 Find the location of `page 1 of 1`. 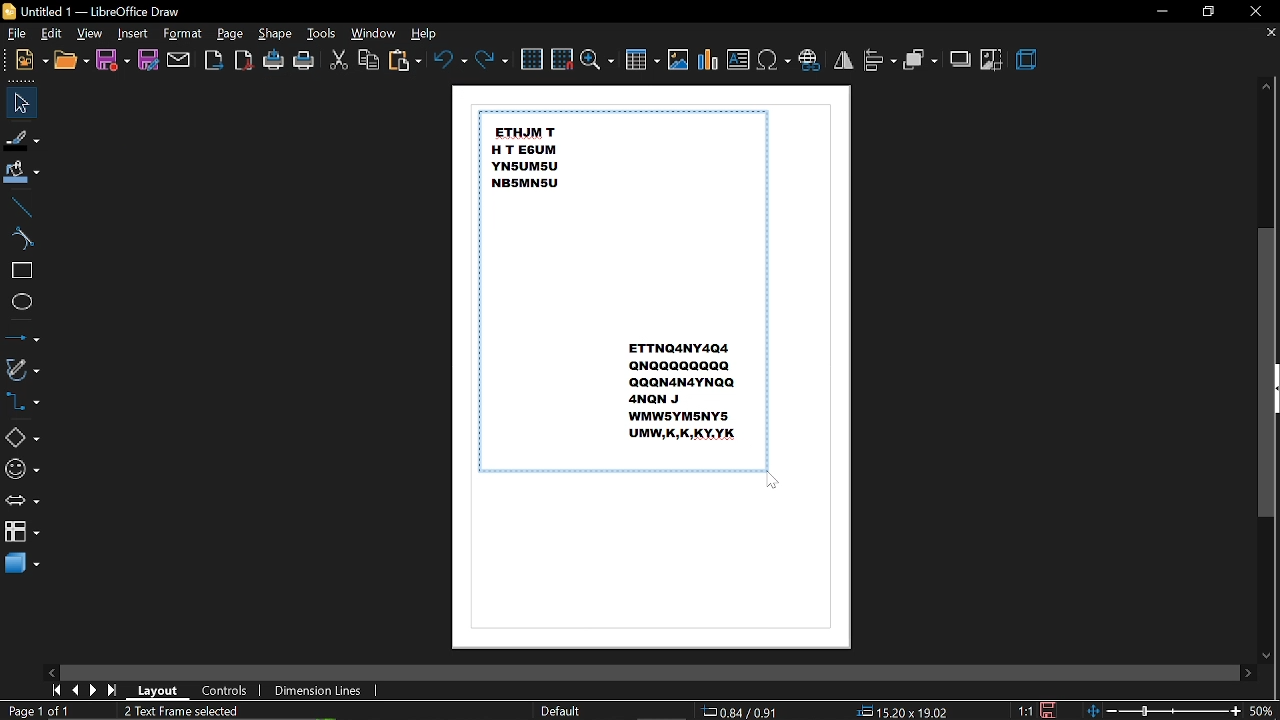

page 1 of 1 is located at coordinates (36, 710).